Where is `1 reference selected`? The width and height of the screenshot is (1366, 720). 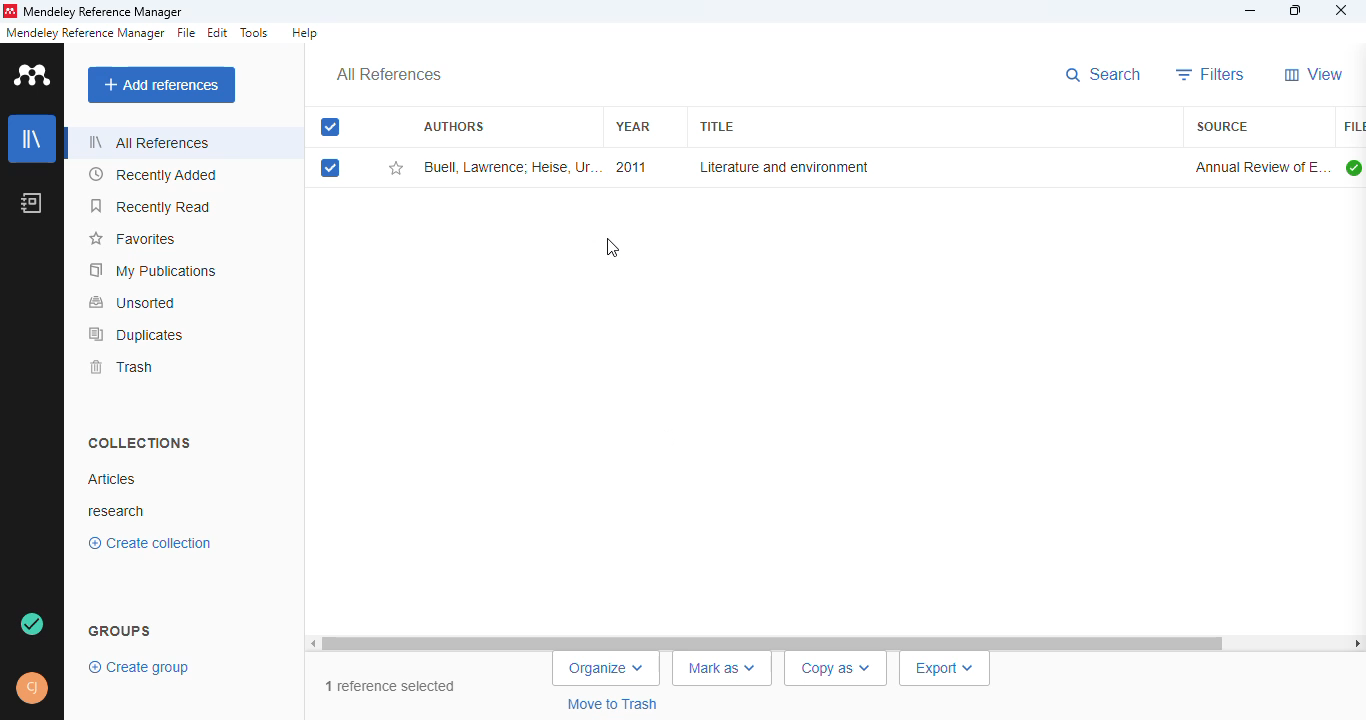
1 reference selected is located at coordinates (391, 687).